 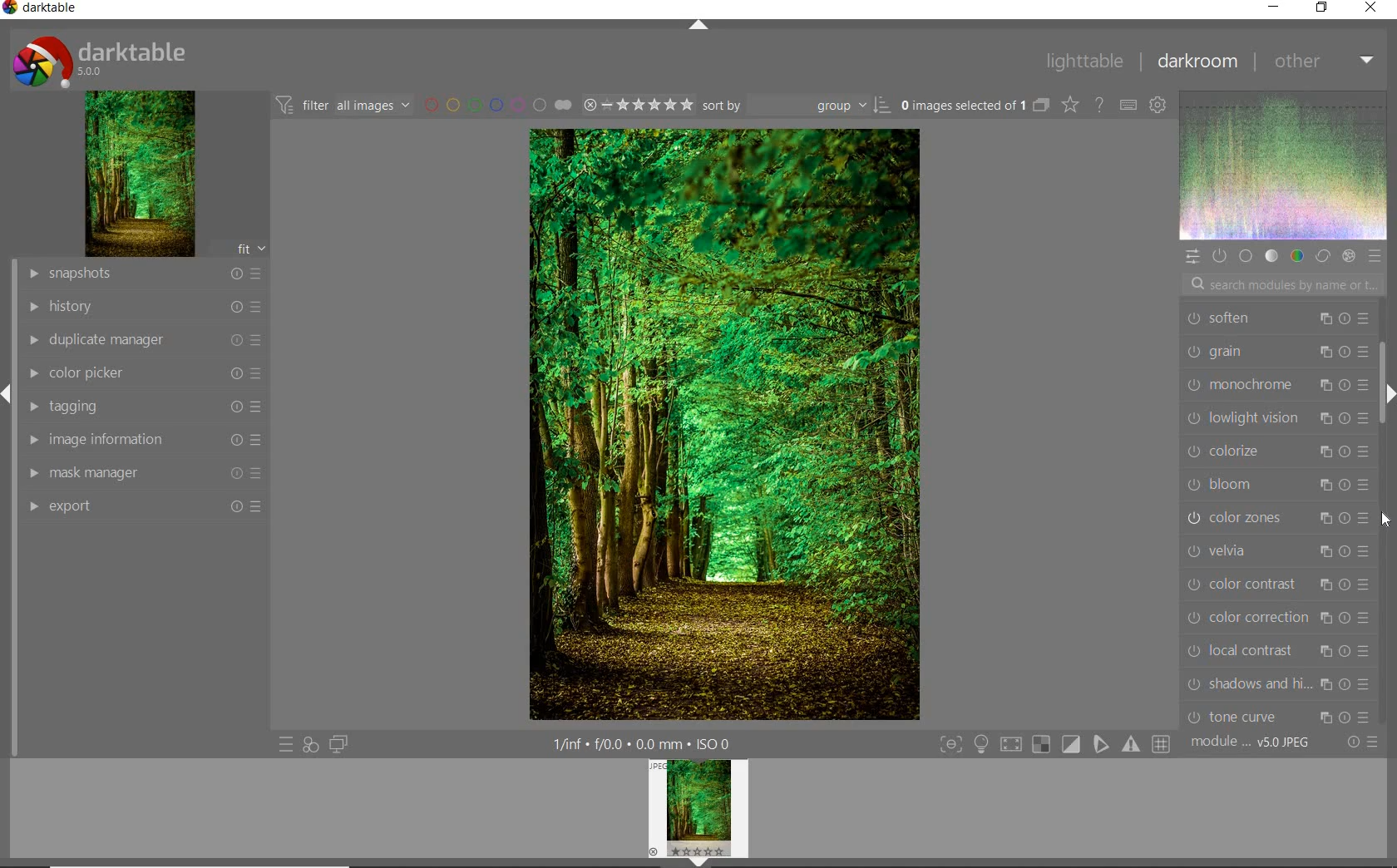 I want to click on velvia, so click(x=1278, y=550).